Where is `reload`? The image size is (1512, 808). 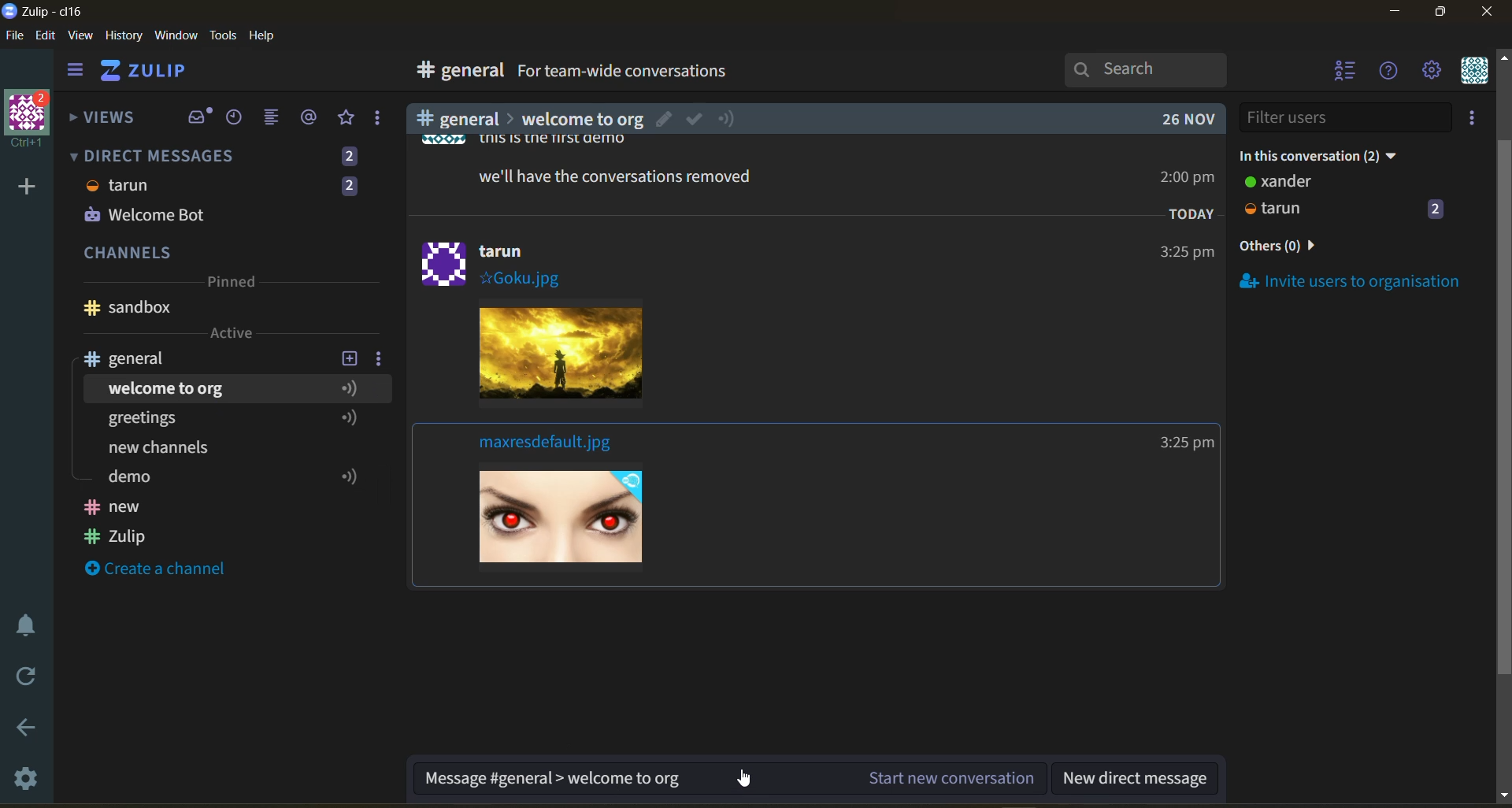
reload is located at coordinates (22, 676).